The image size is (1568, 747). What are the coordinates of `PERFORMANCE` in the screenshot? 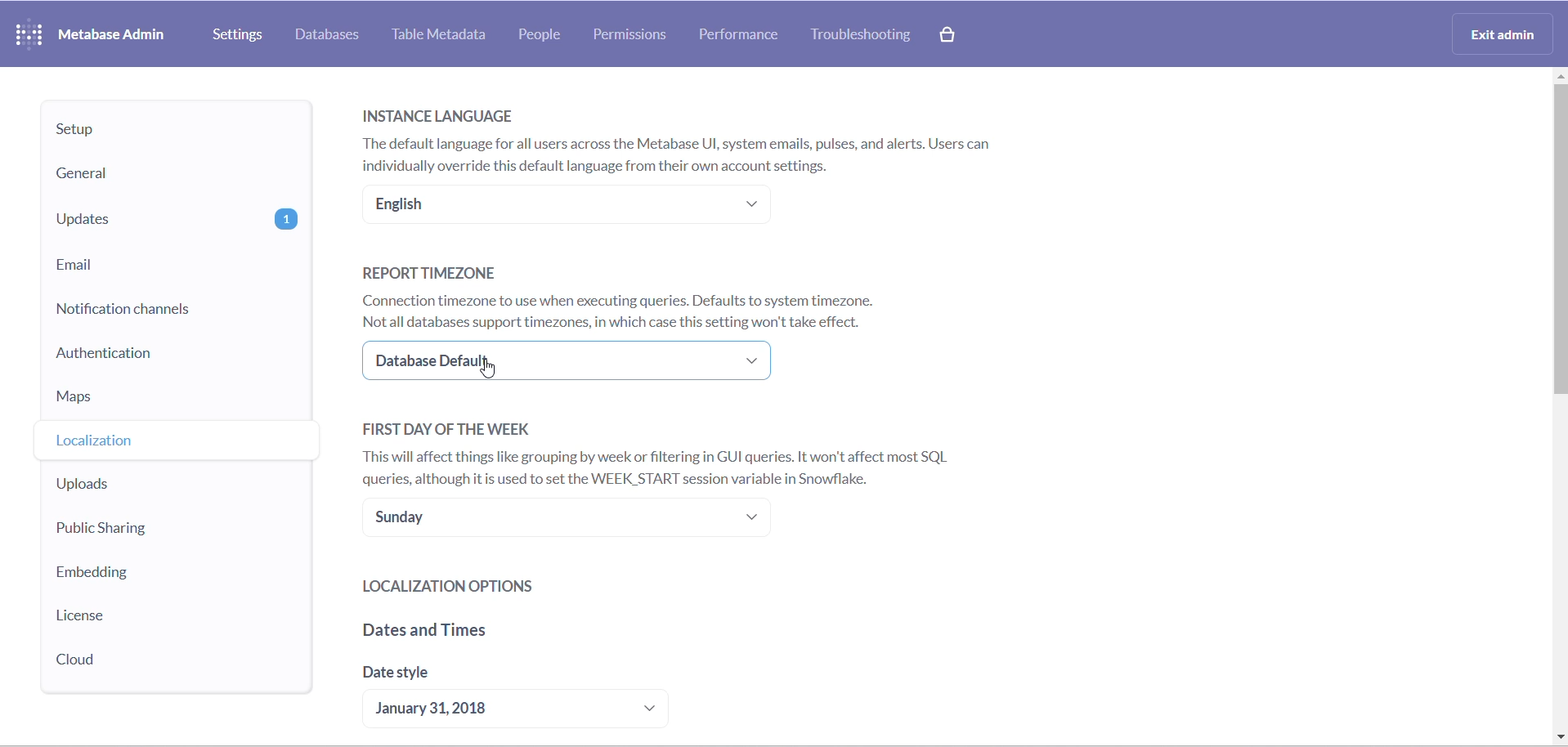 It's located at (746, 34).